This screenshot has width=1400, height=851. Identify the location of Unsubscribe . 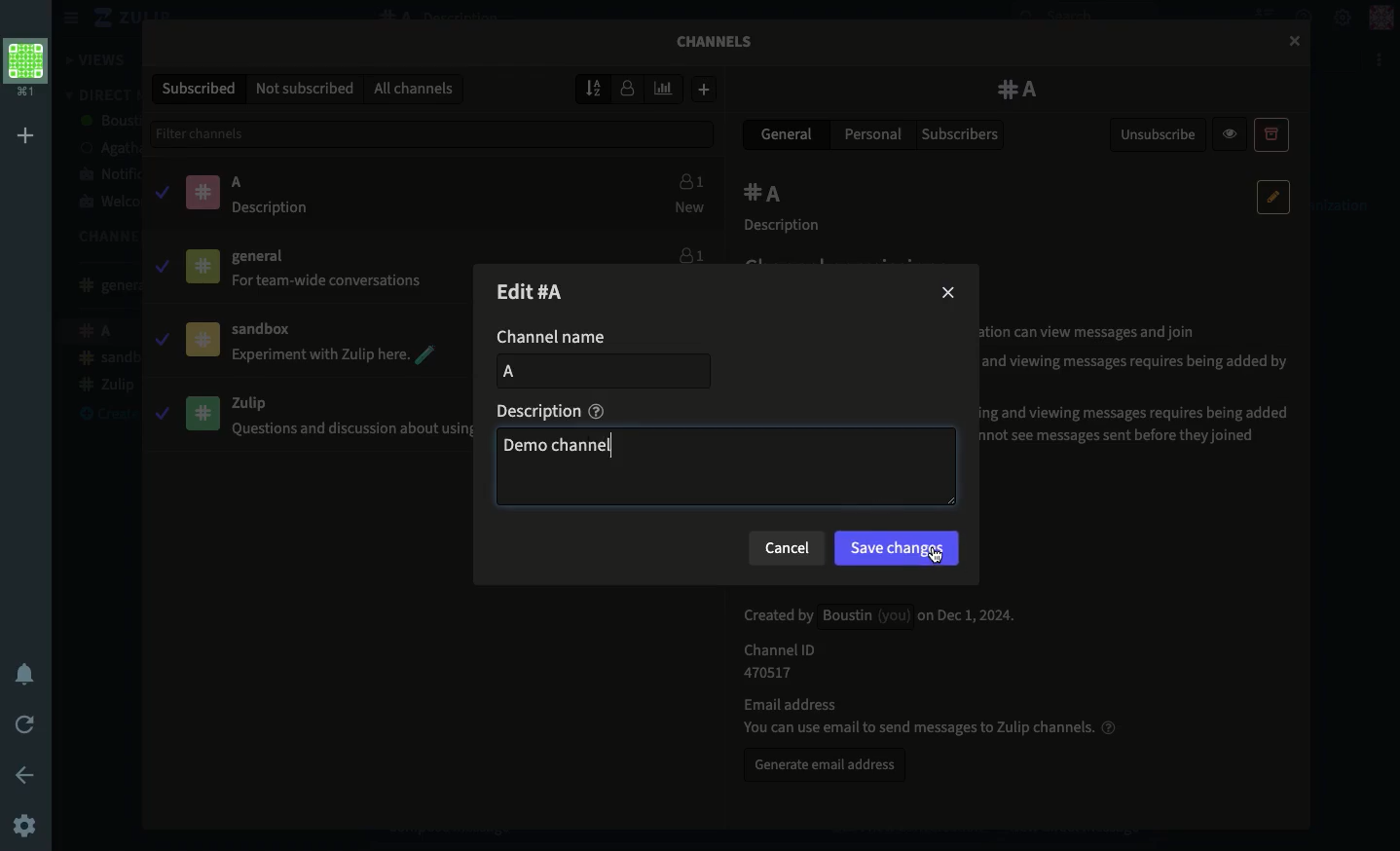
(1160, 135).